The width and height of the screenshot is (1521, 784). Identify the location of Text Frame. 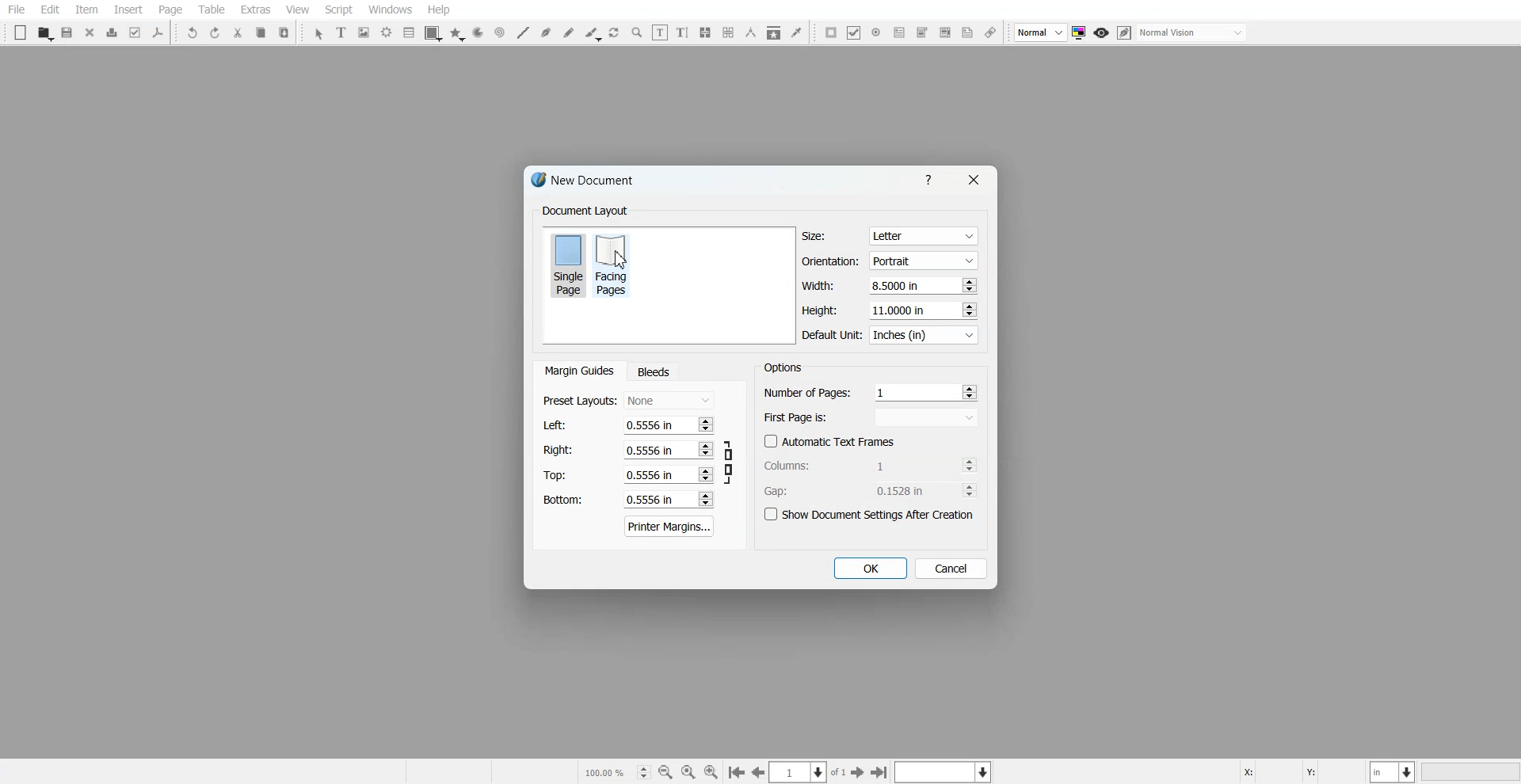
(342, 32).